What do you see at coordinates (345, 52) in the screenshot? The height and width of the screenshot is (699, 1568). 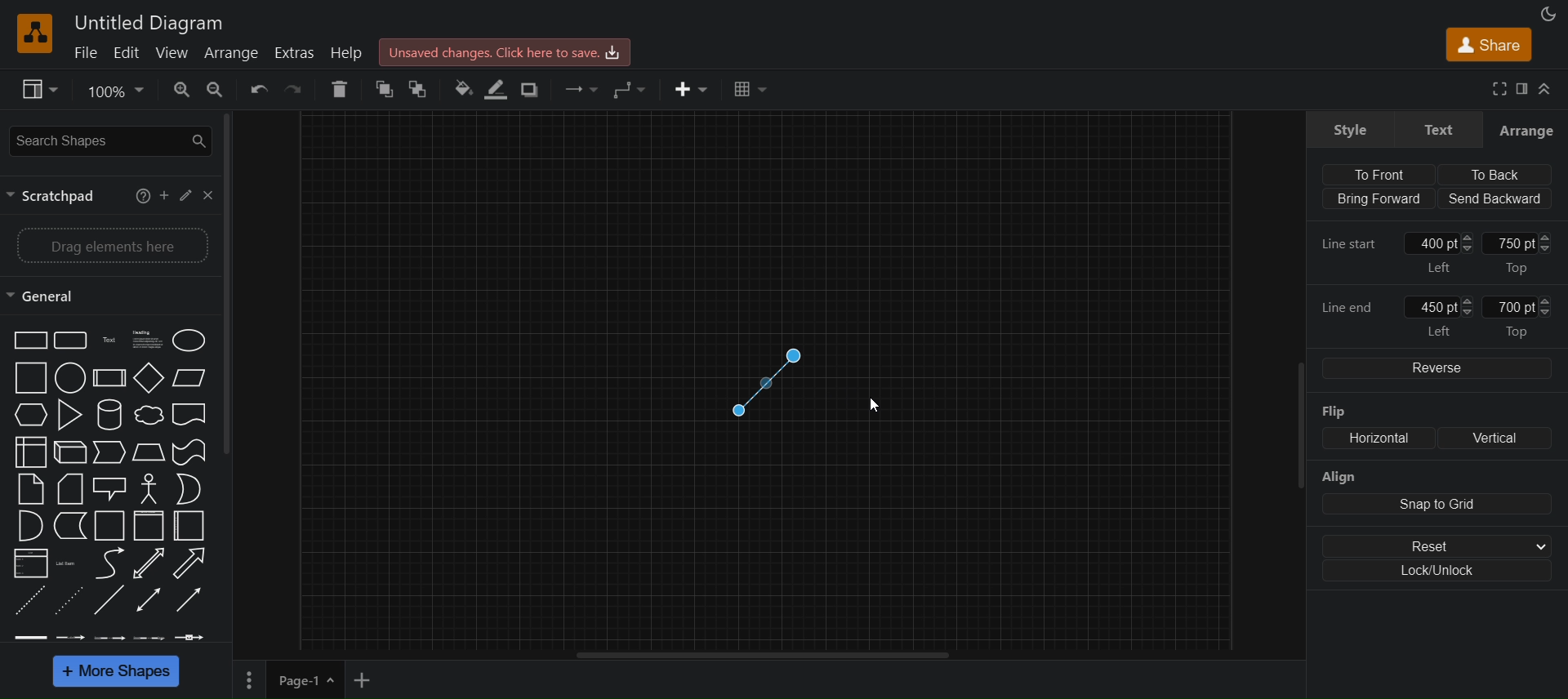 I see `help` at bounding box center [345, 52].